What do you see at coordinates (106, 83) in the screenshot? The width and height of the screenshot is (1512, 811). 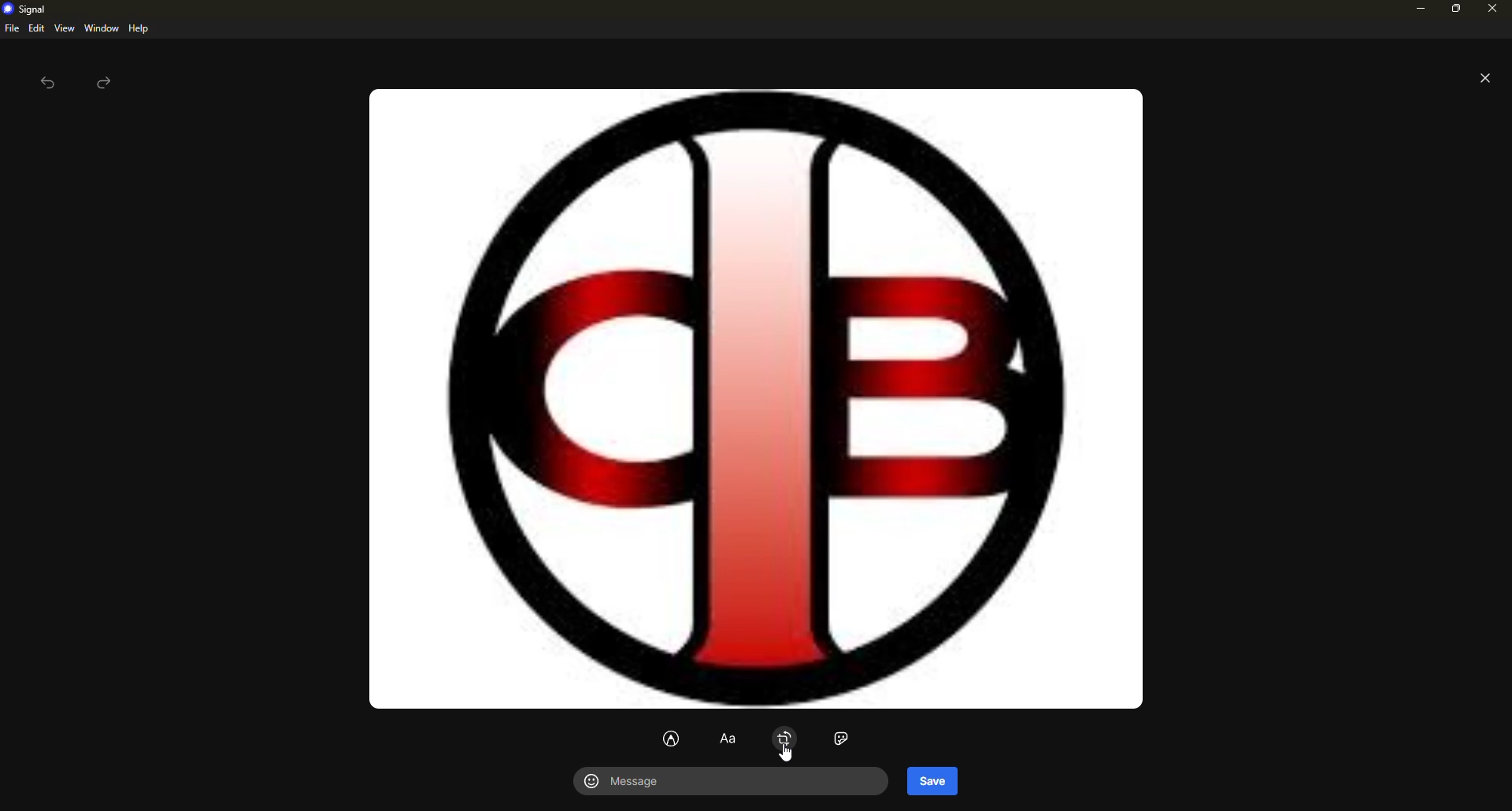 I see `forward` at bounding box center [106, 83].